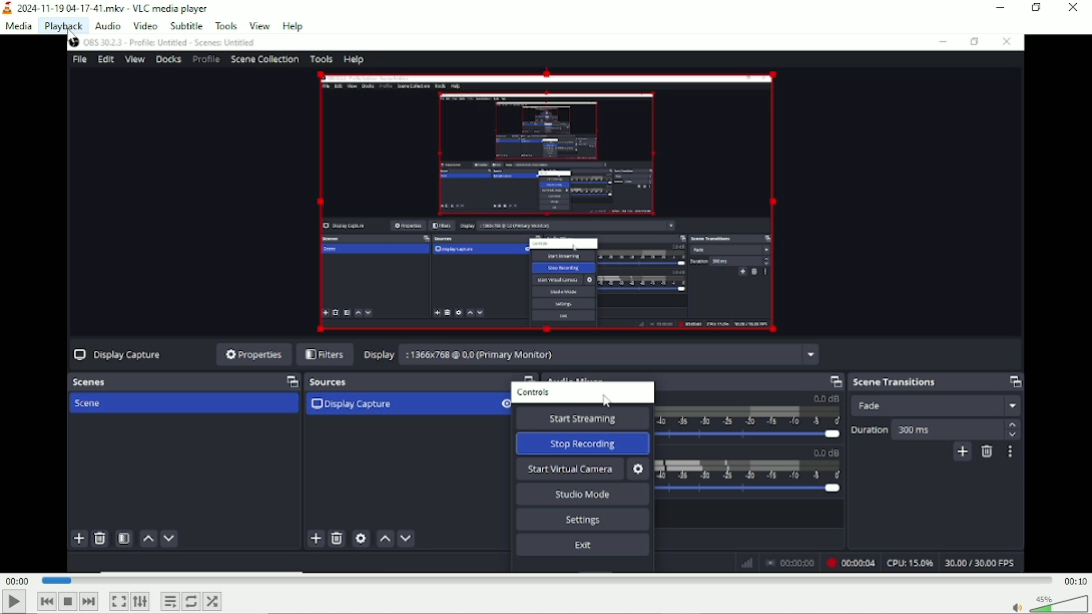 The image size is (1092, 614). I want to click on Play duration, so click(545, 579).